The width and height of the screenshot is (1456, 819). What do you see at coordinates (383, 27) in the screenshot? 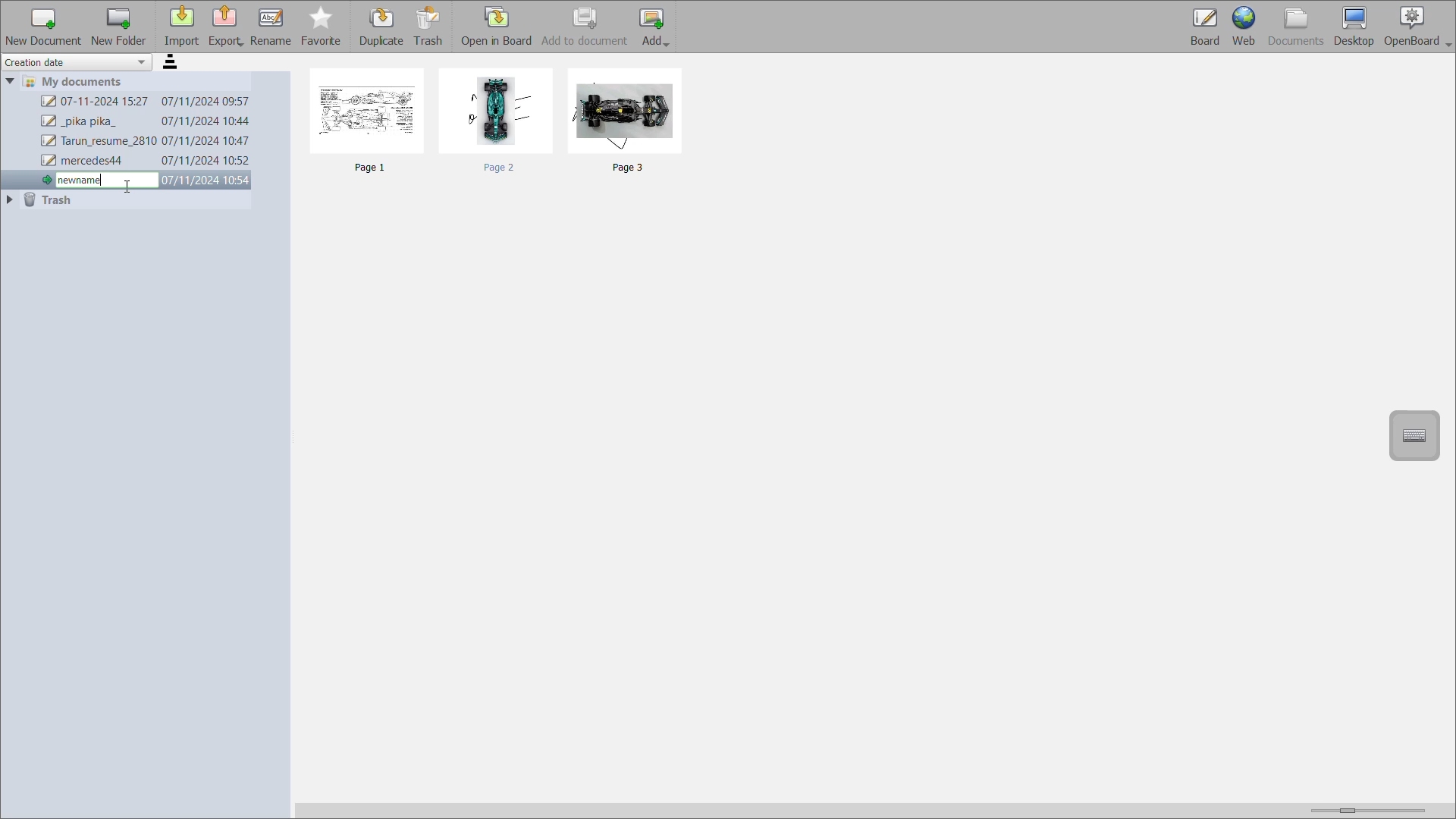
I see `duplicate` at bounding box center [383, 27].